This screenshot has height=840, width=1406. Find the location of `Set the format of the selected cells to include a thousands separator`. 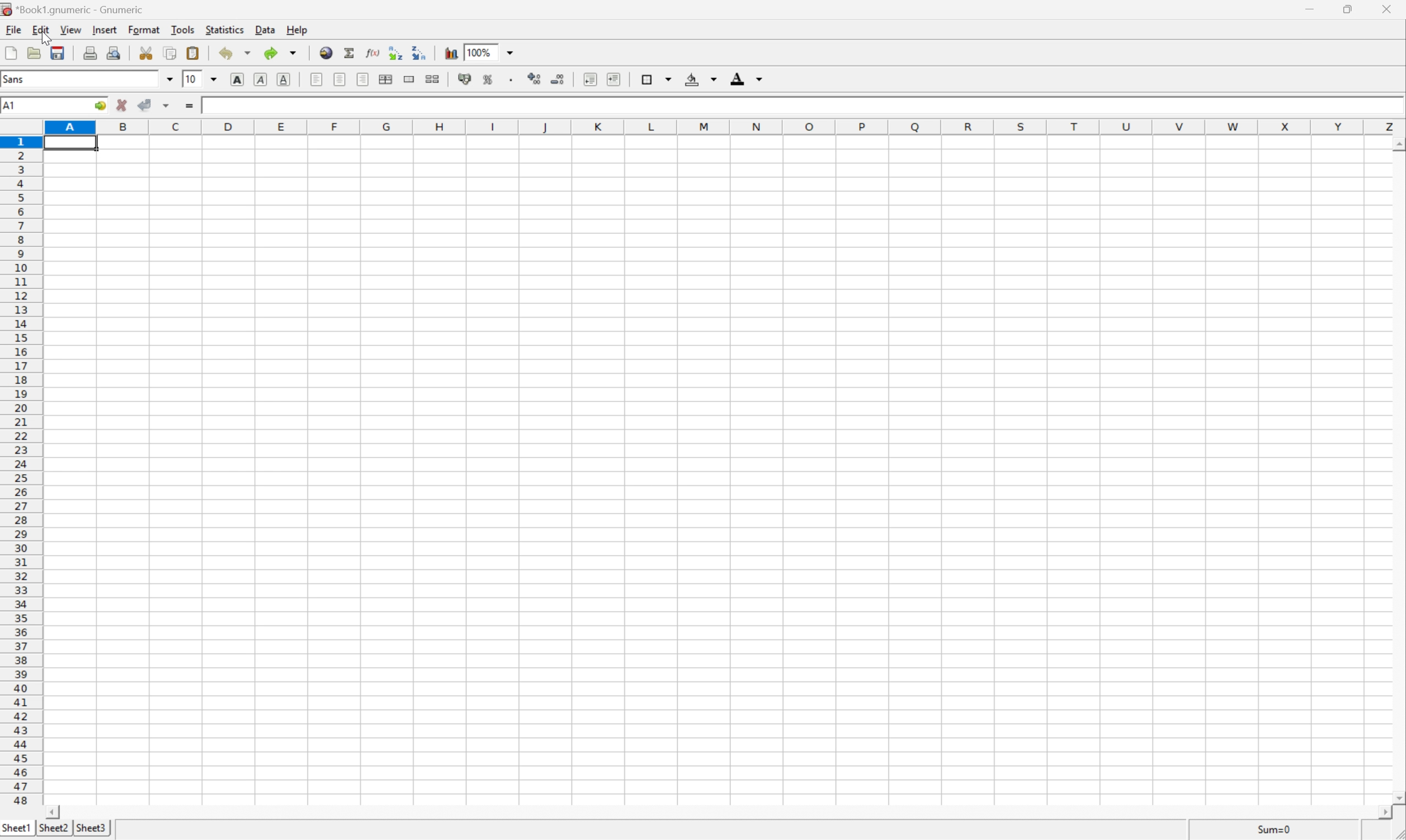

Set the format of the selected cells to include a thousands separator is located at coordinates (509, 80).